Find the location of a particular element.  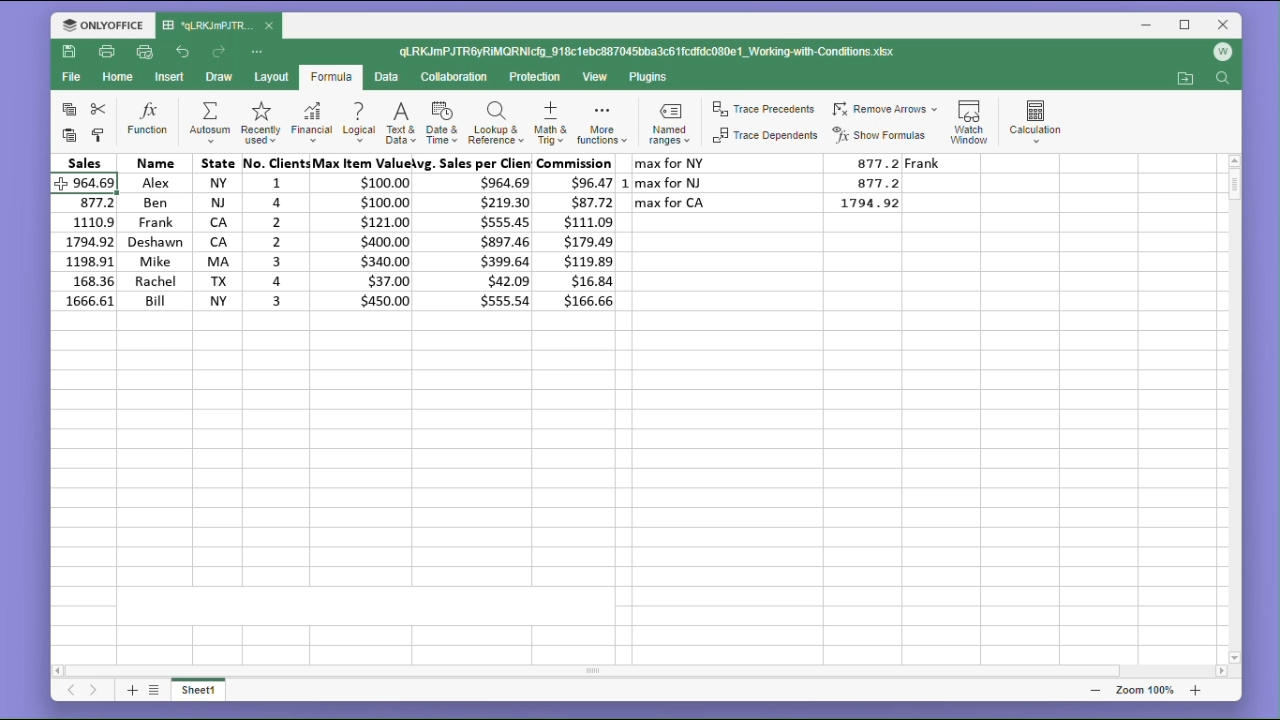

close is located at coordinates (1224, 24).